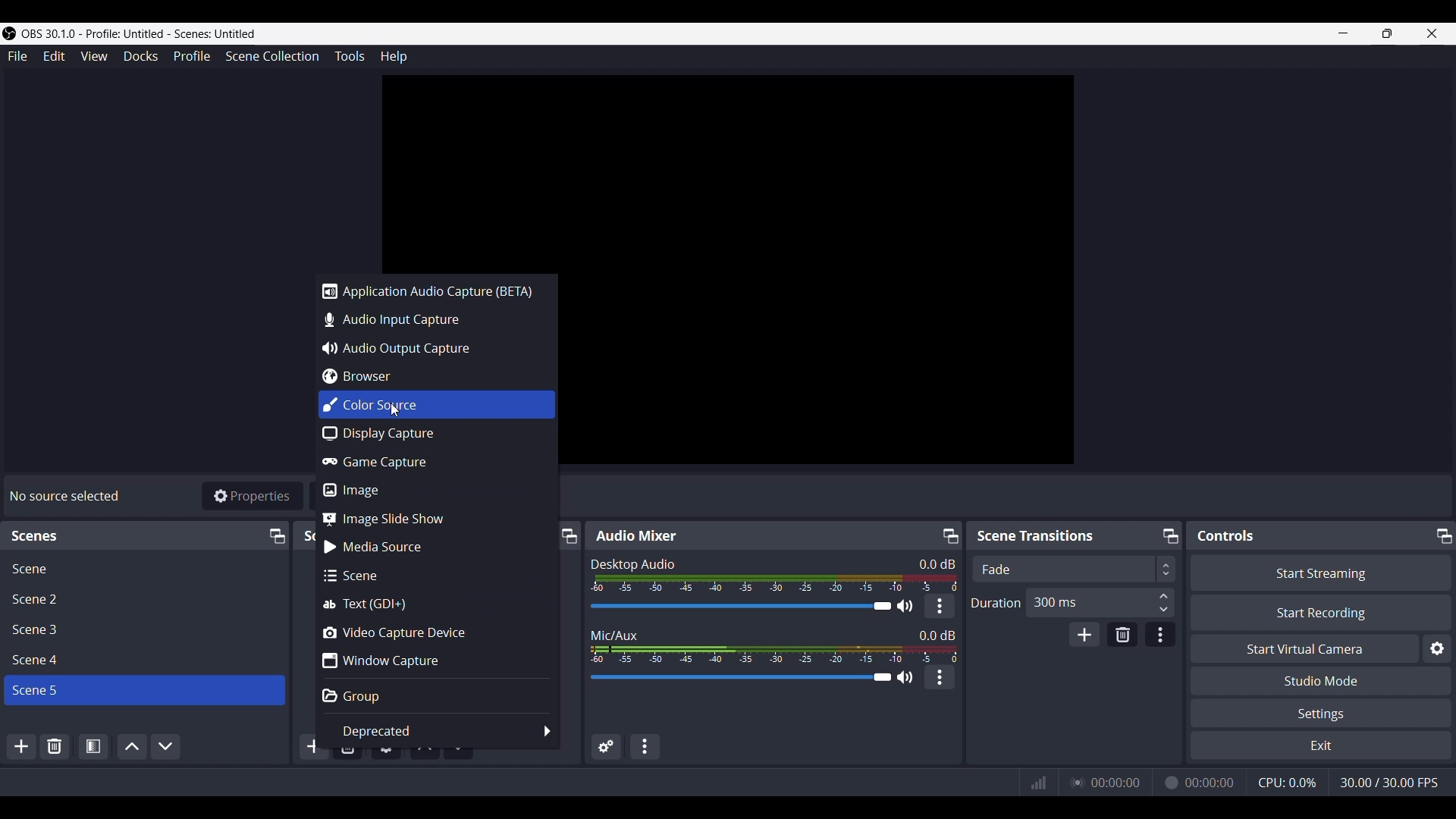 This screenshot has height=819, width=1456. Describe the element at coordinates (435, 348) in the screenshot. I see `Audio output capture` at that location.